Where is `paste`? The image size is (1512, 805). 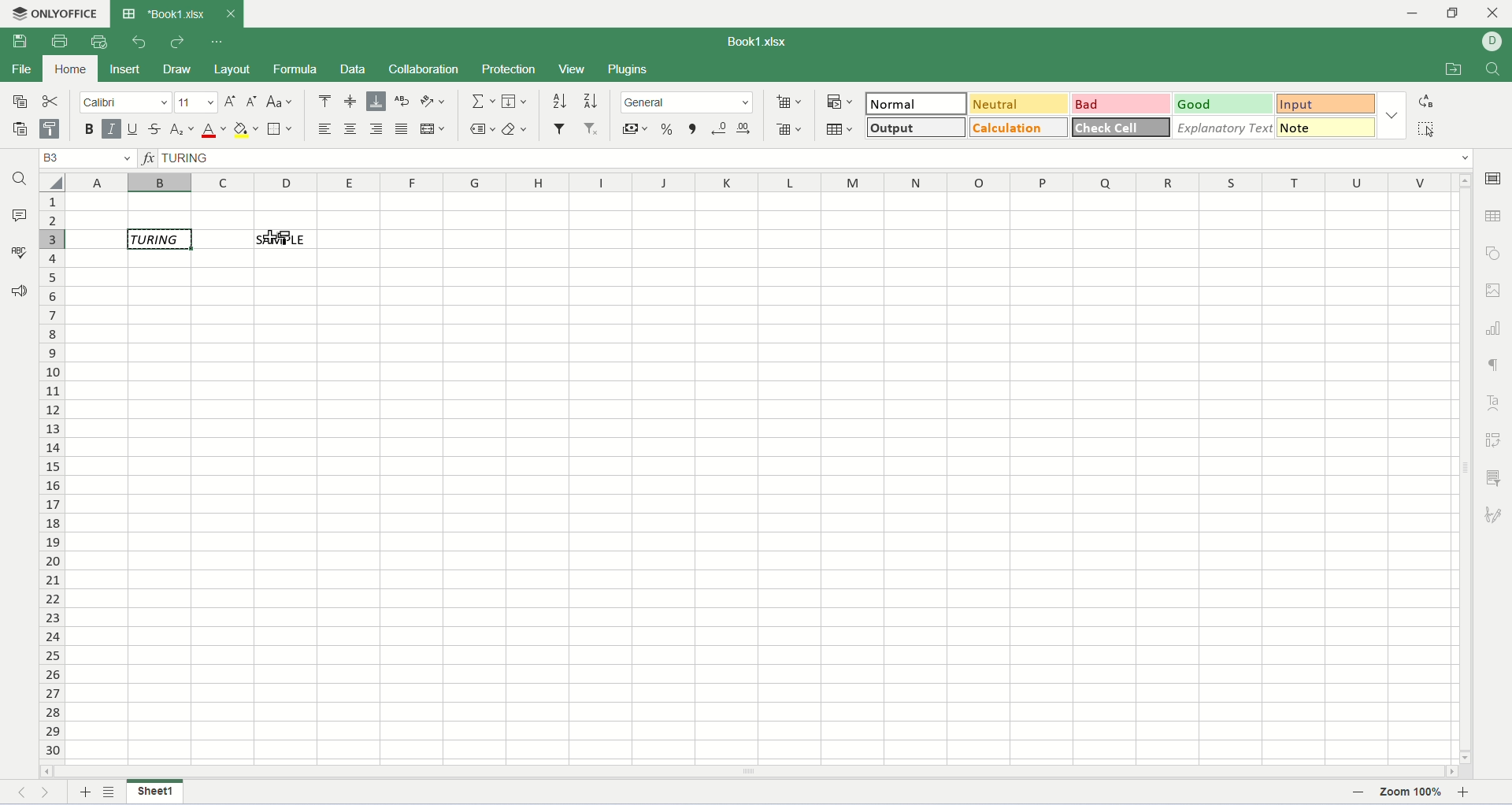 paste is located at coordinates (16, 129).